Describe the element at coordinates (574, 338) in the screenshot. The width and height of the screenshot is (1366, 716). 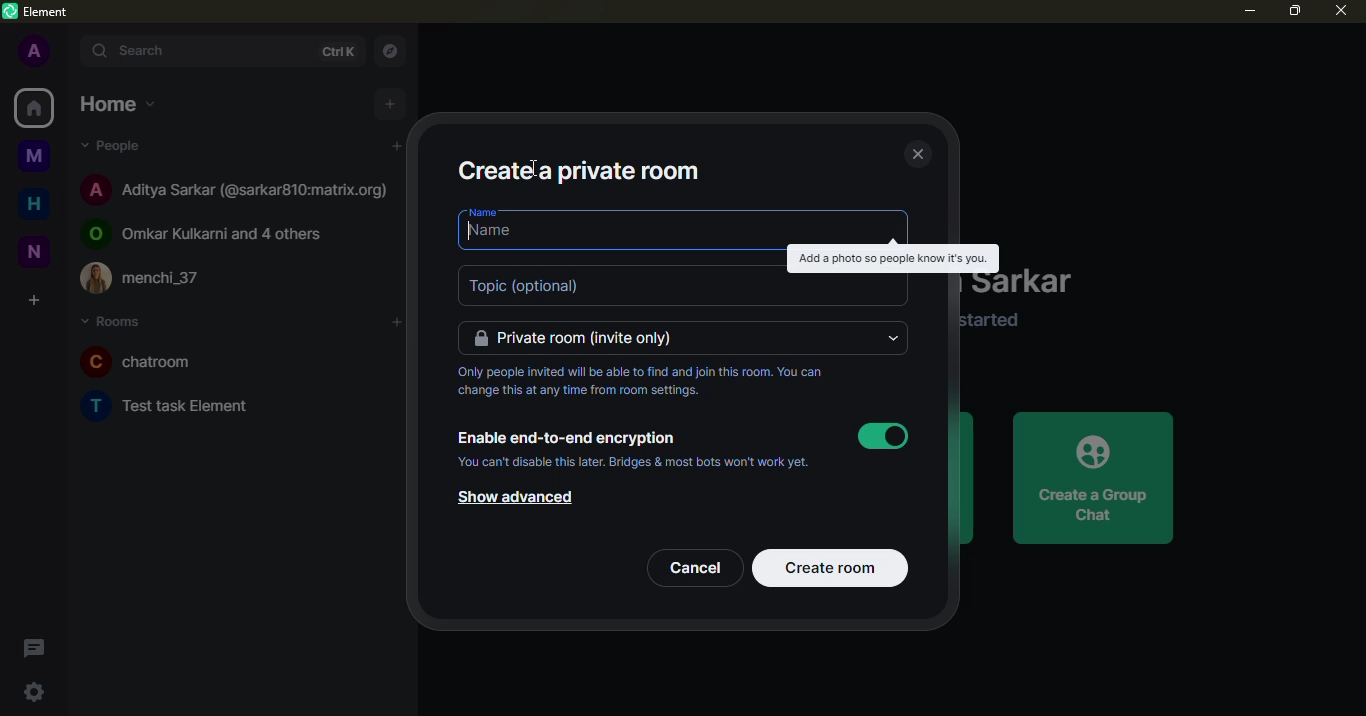
I see `private room (invite only)` at that location.